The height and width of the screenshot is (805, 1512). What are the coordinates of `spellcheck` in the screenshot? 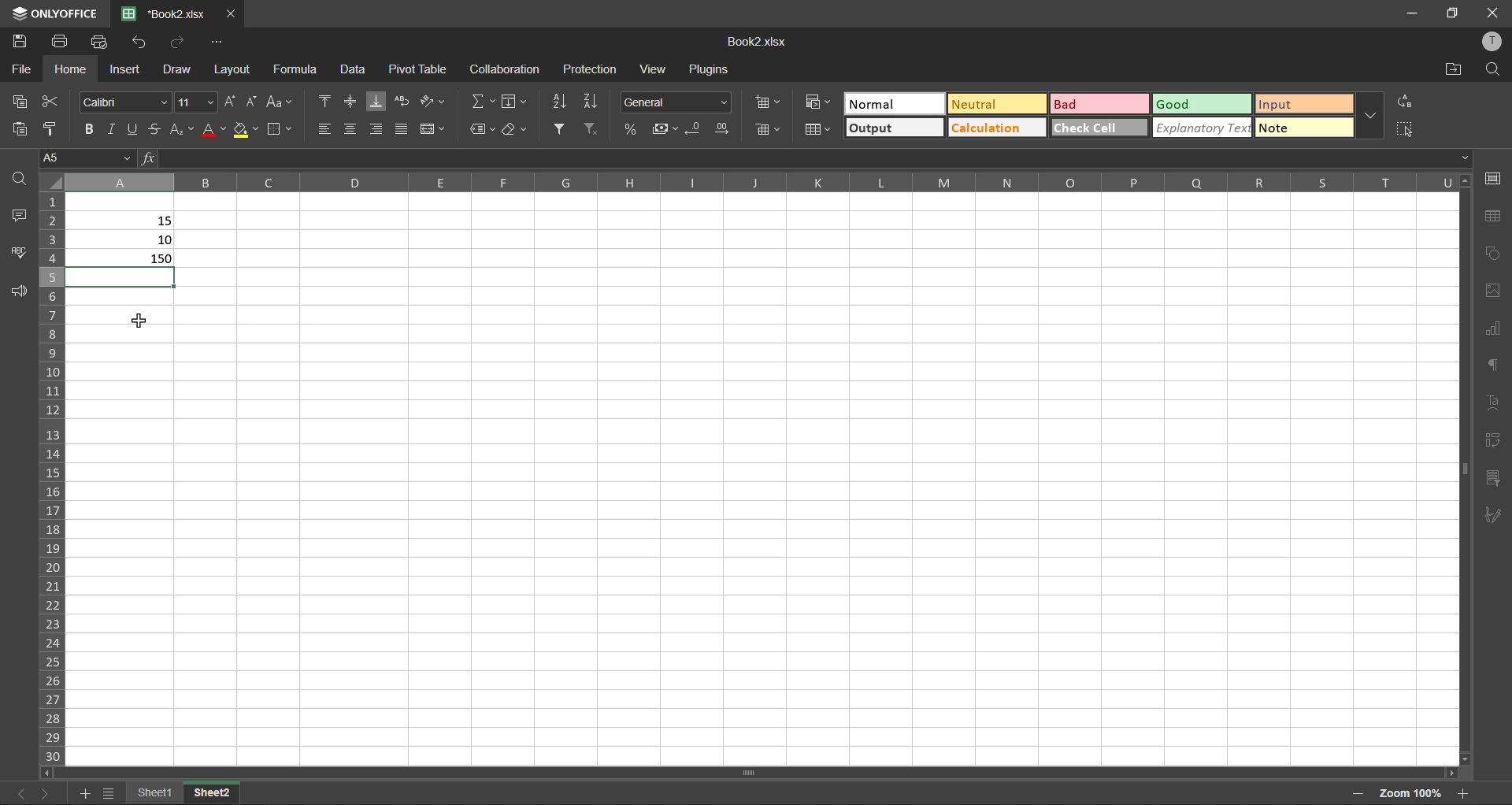 It's located at (20, 254).